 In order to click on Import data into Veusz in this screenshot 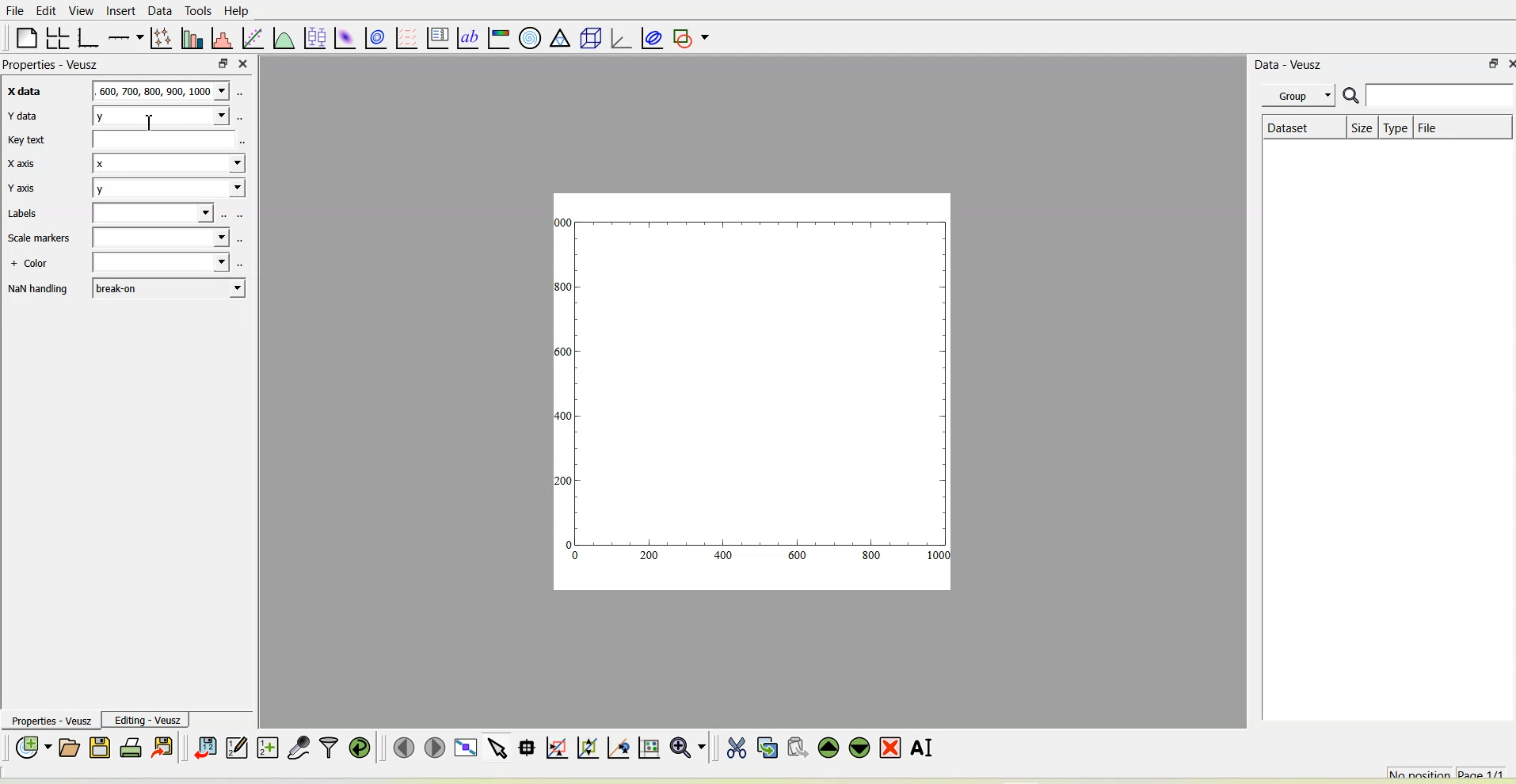, I will do `click(205, 748)`.